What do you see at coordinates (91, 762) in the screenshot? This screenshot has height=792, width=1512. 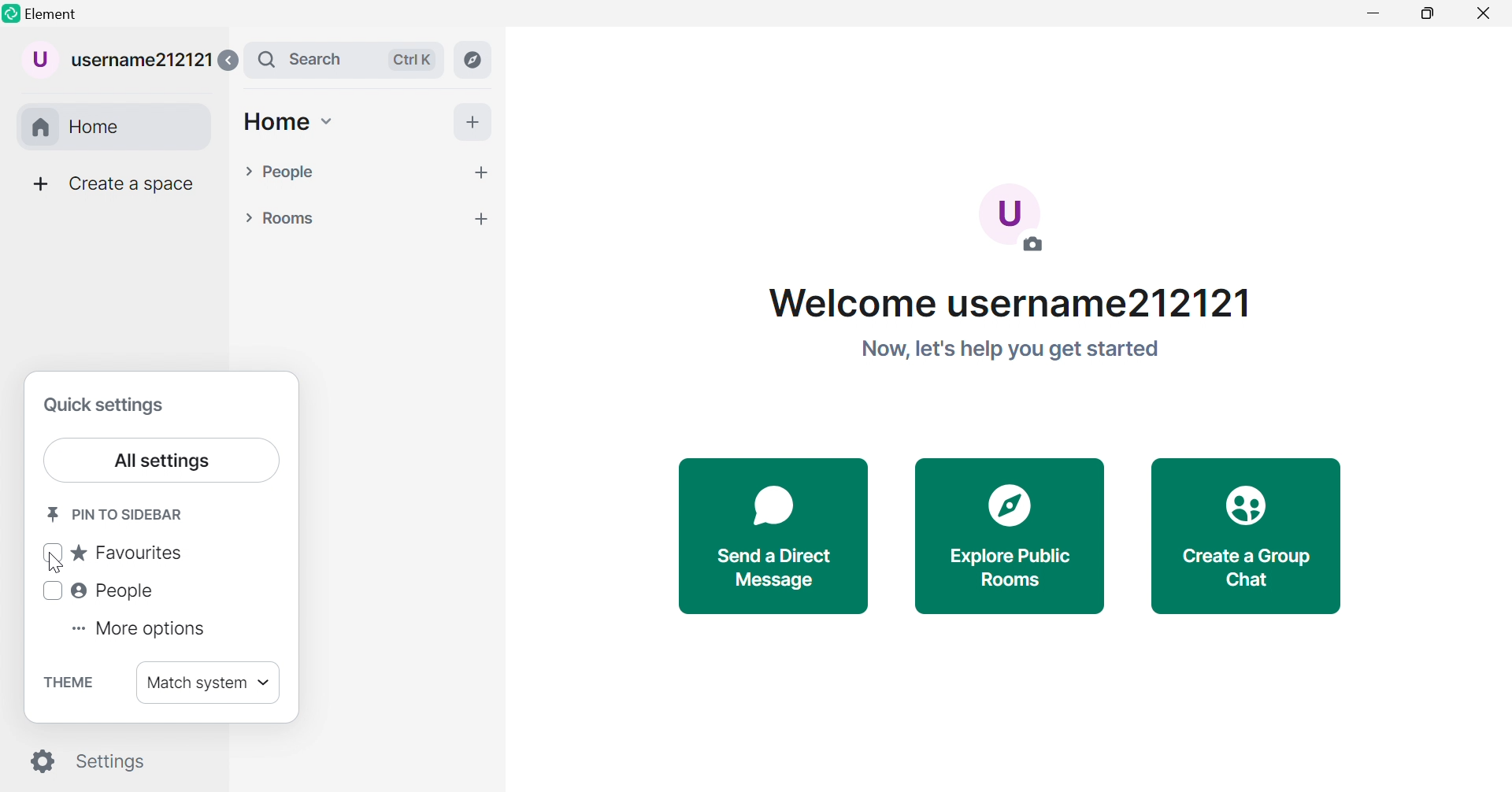 I see `Settings` at bounding box center [91, 762].